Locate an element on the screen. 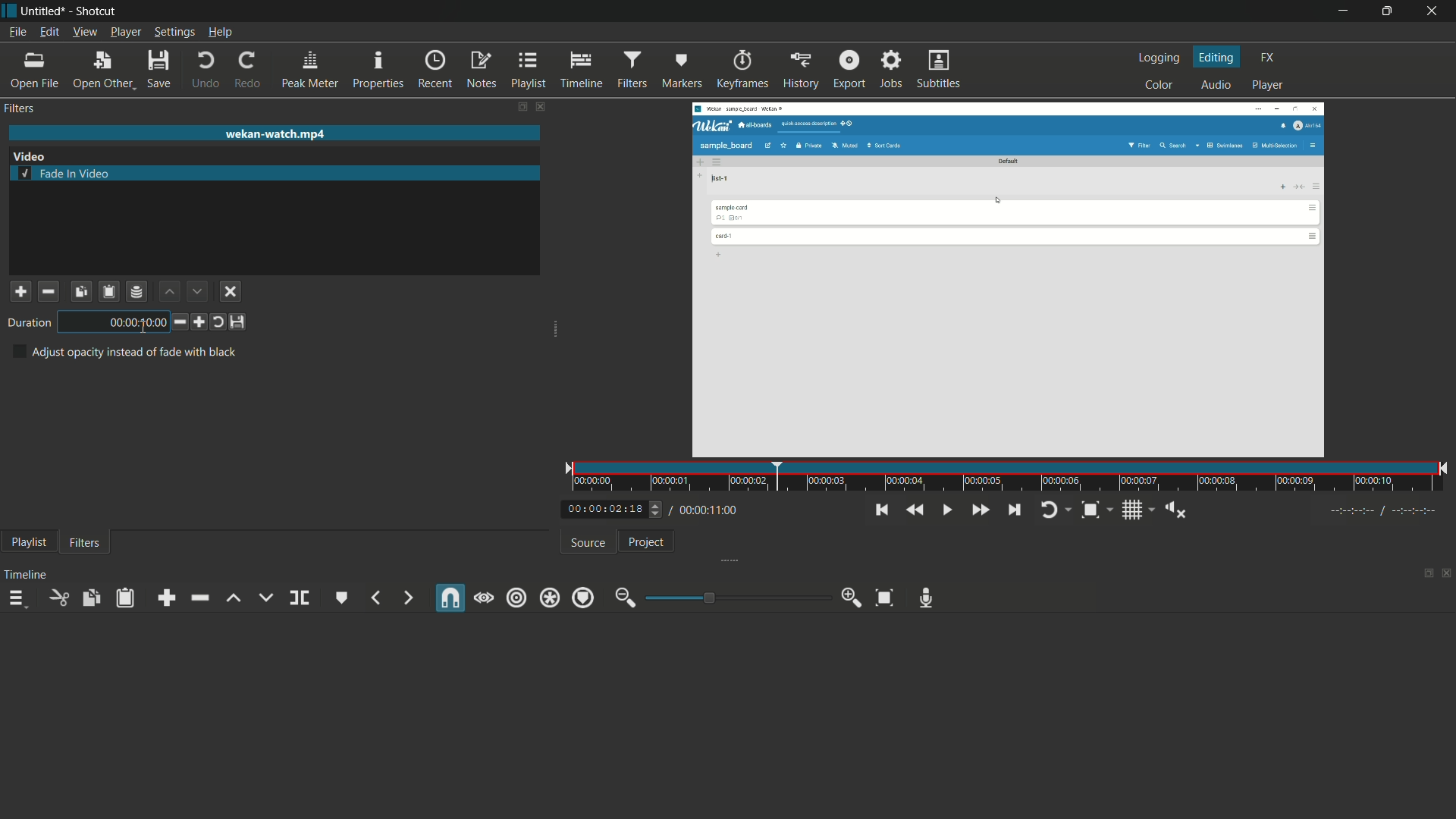 Image resolution: width=1456 pixels, height=819 pixels. cut is located at coordinates (60, 598).